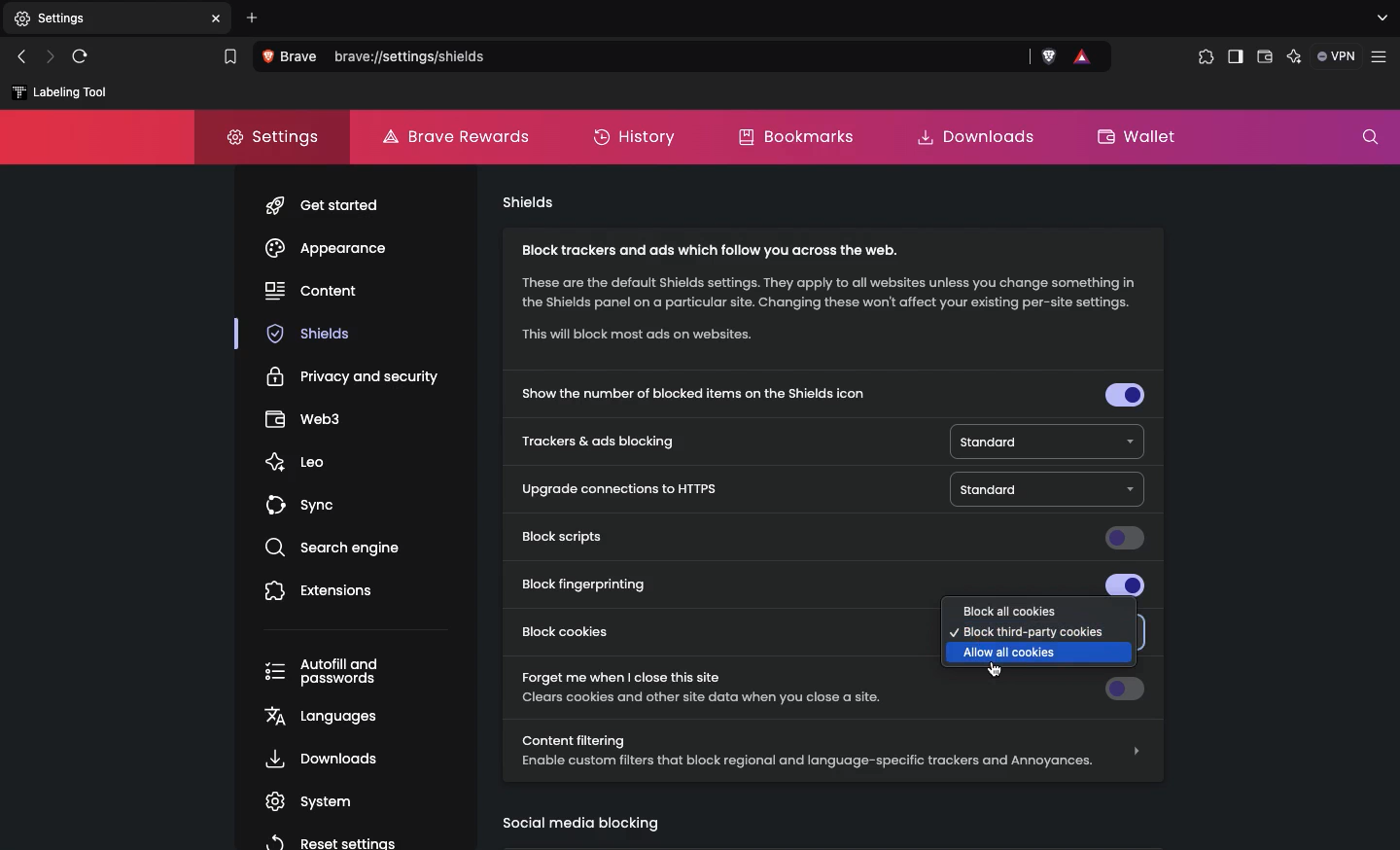  Describe the element at coordinates (312, 336) in the screenshot. I see `shields` at that location.